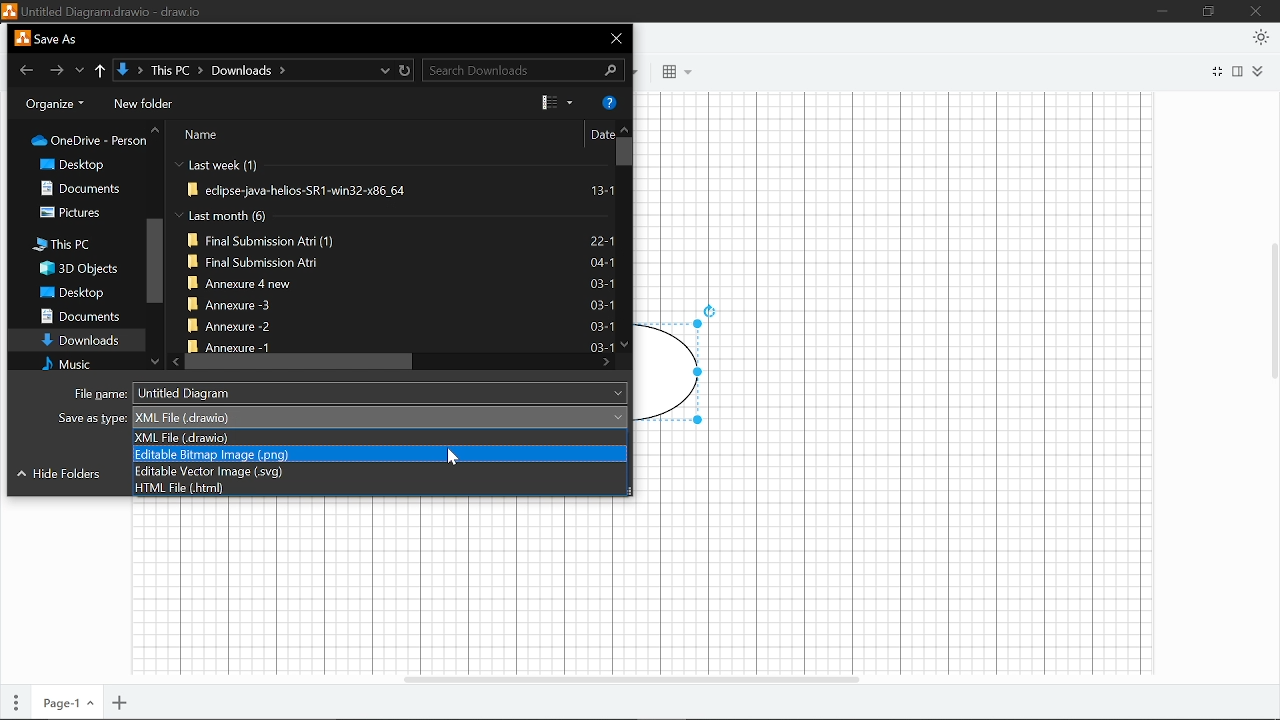 The image size is (1280, 720). I want to click on 3D objects, so click(77, 269).